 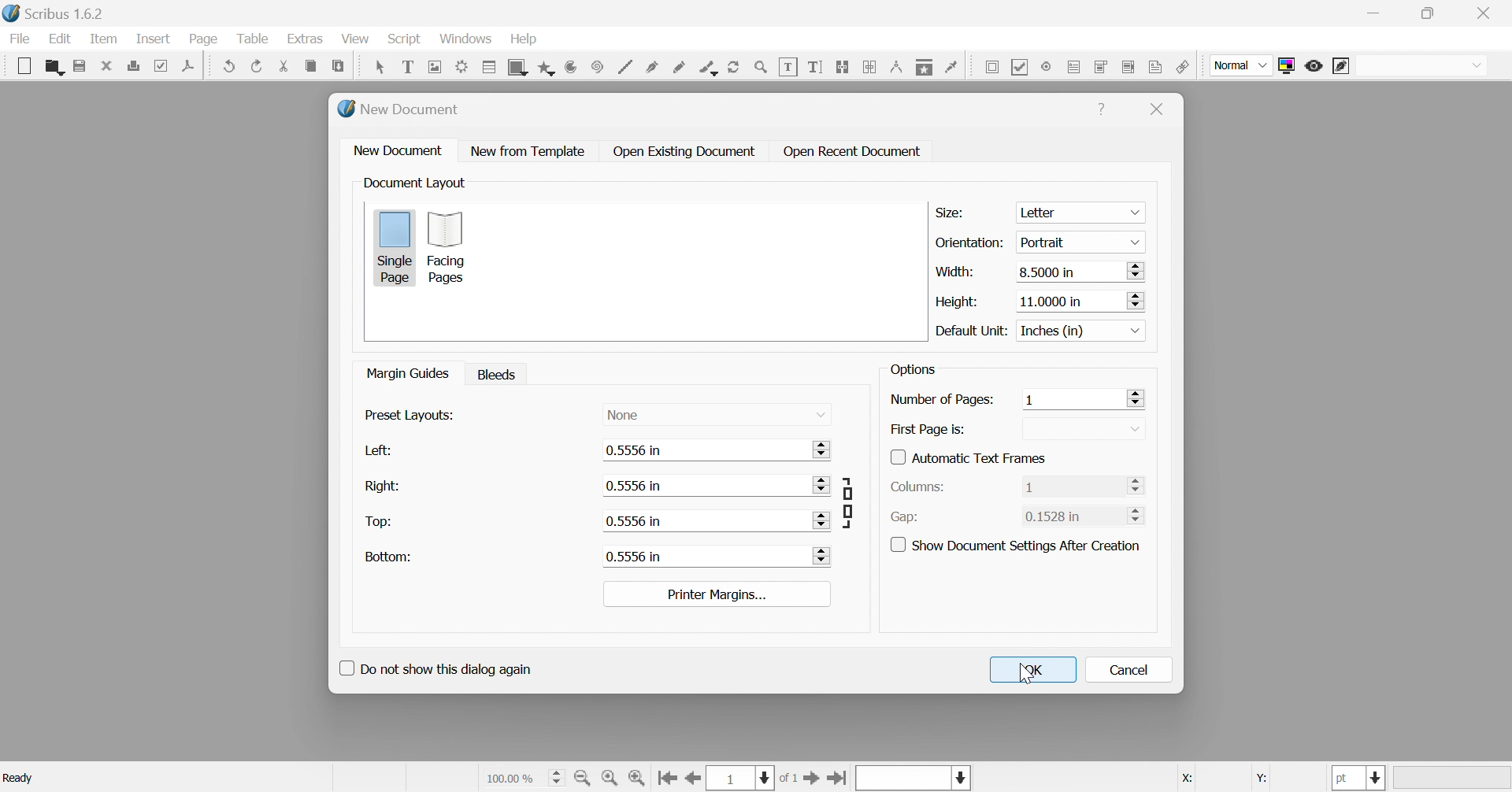 What do you see at coordinates (1135, 485) in the screenshot?
I see `slider` at bounding box center [1135, 485].